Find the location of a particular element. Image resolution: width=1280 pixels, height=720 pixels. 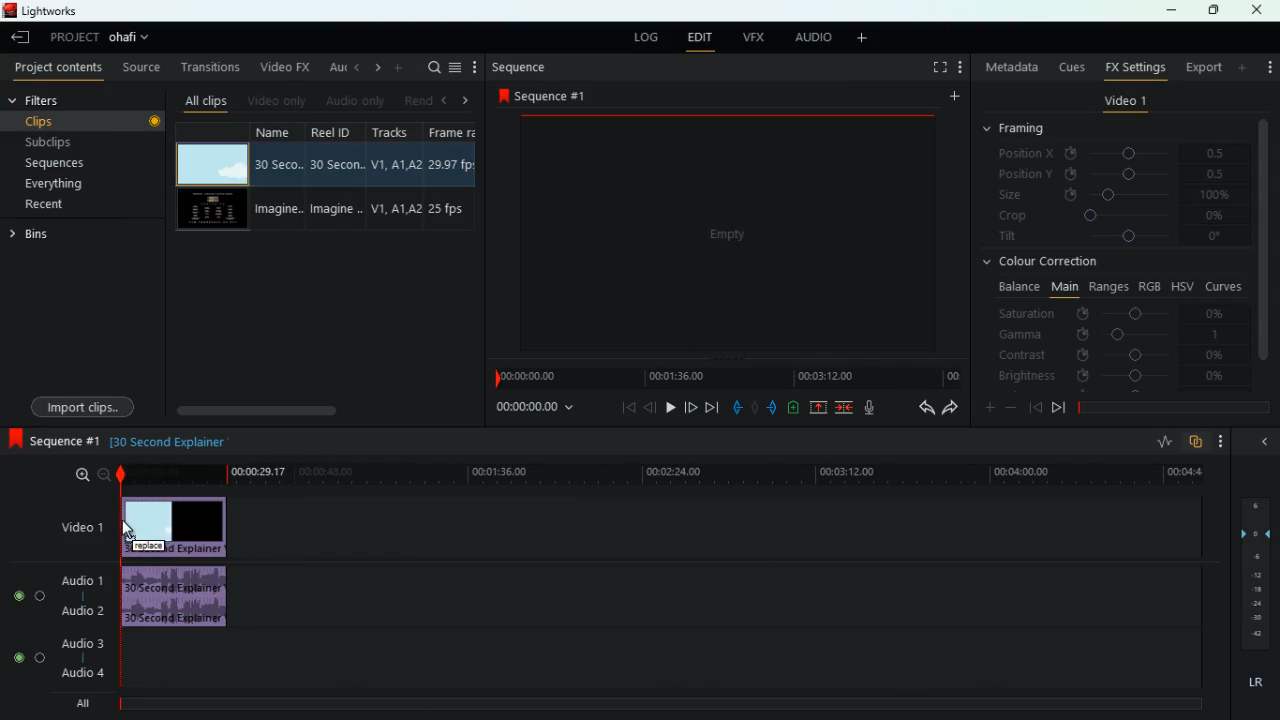

maximize is located at coordinates (1215, 10).